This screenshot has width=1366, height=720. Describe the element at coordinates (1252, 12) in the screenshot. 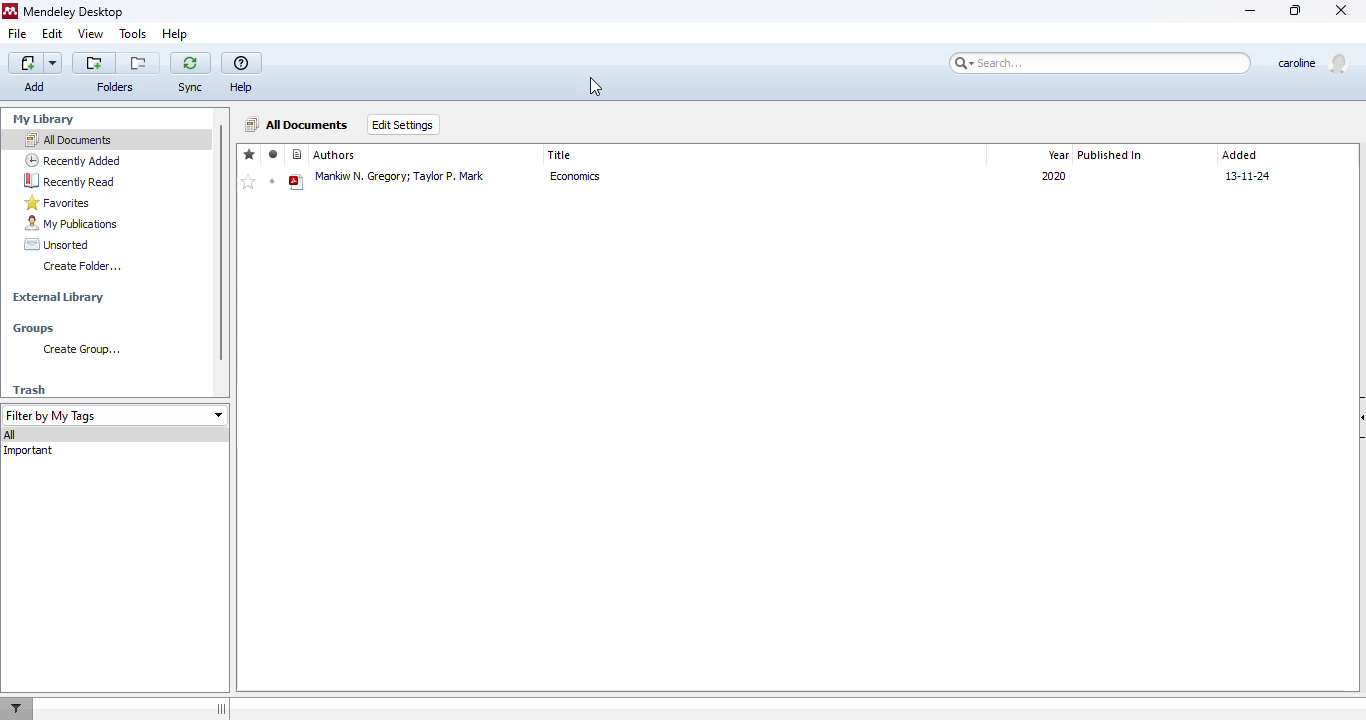

I see `minimize` at that location.